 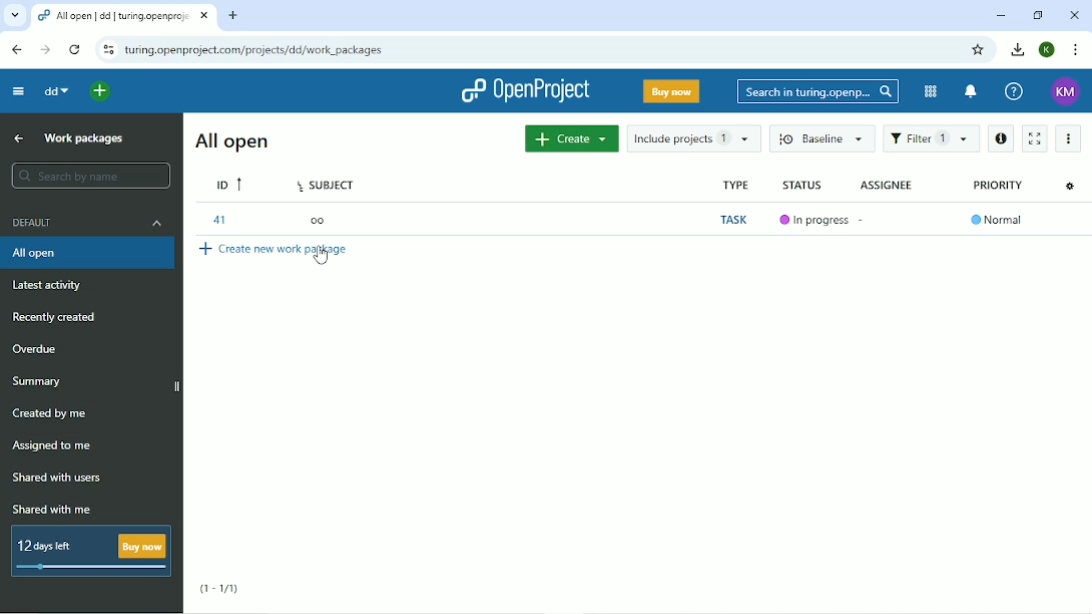 I want to click on Normal, so click(x=997, y=219).